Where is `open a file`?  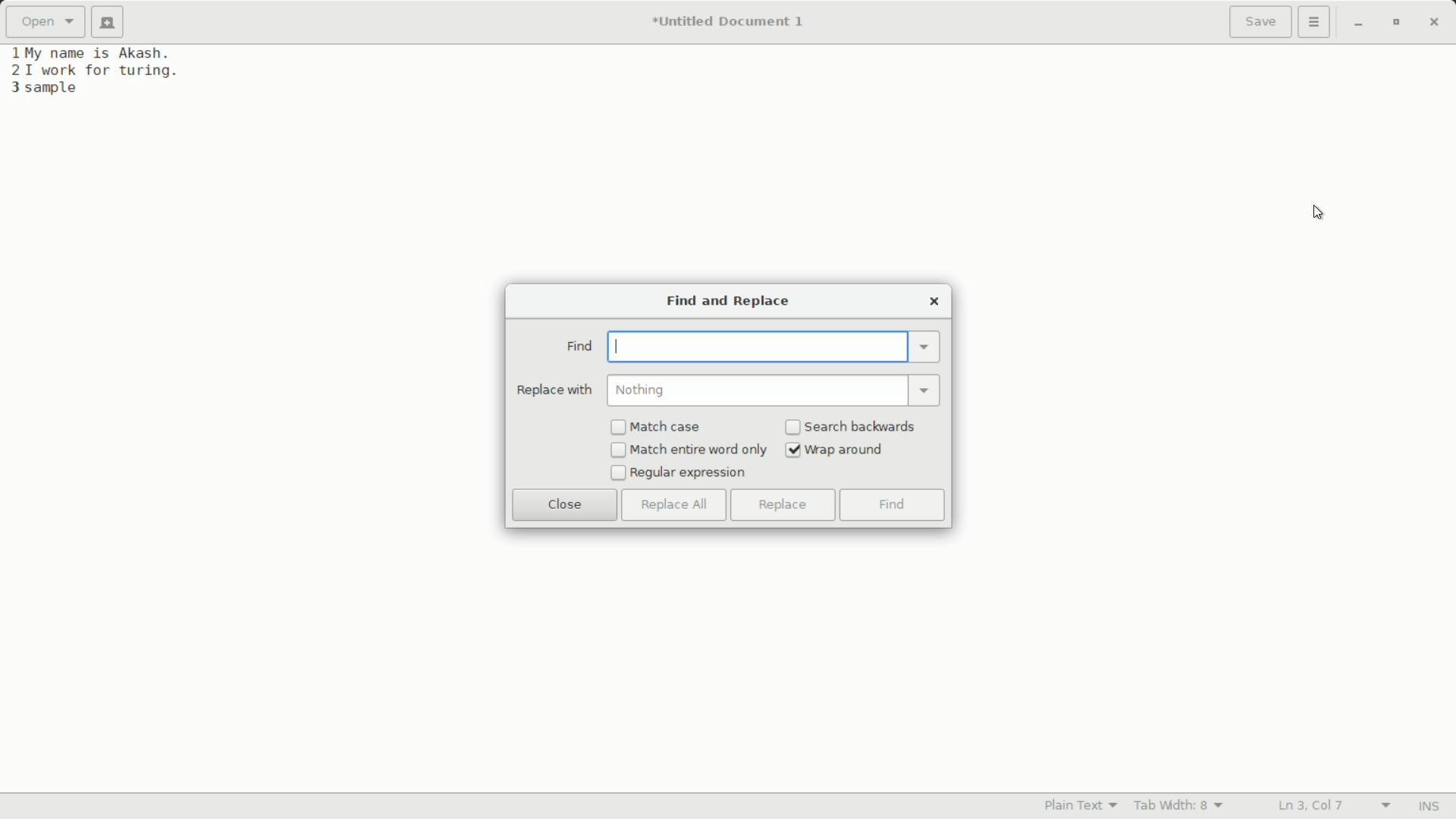 open a file is located at coordinates (45, 22).